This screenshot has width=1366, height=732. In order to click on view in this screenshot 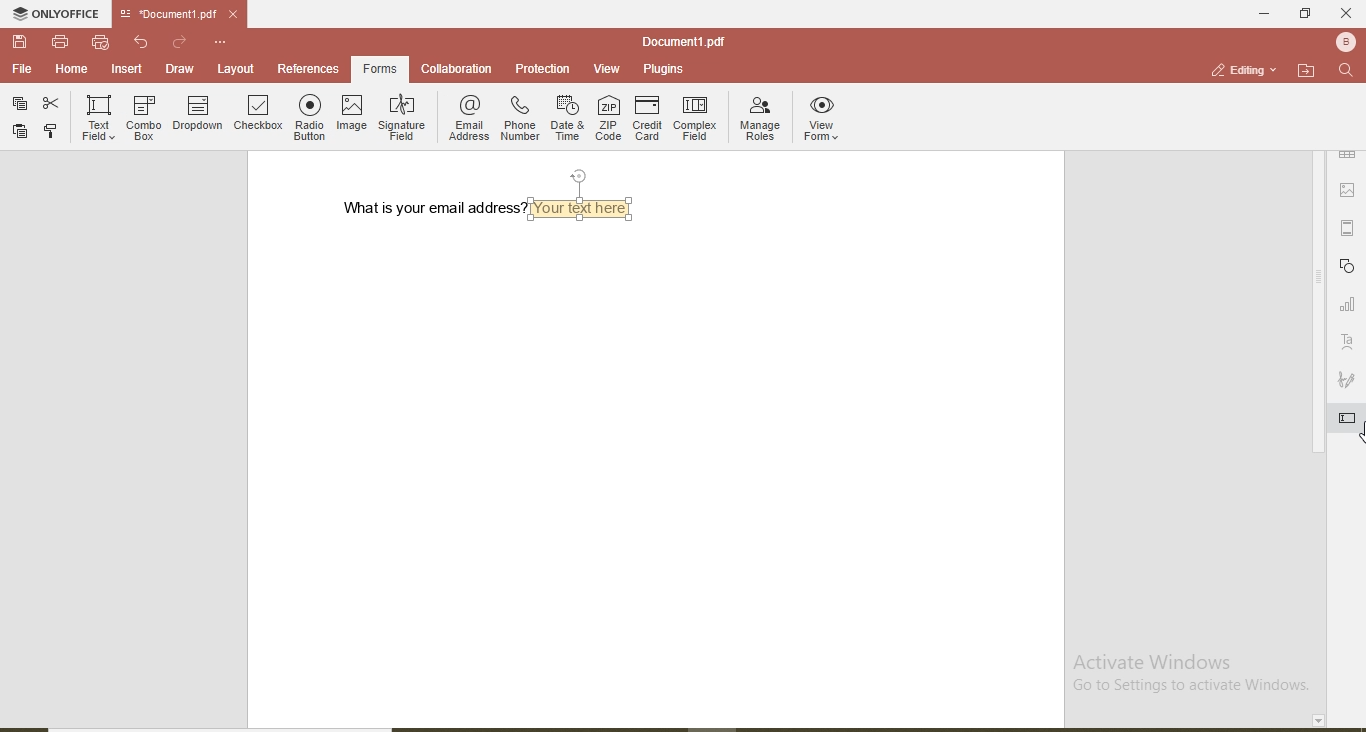, I will do `click(601, 66)`.